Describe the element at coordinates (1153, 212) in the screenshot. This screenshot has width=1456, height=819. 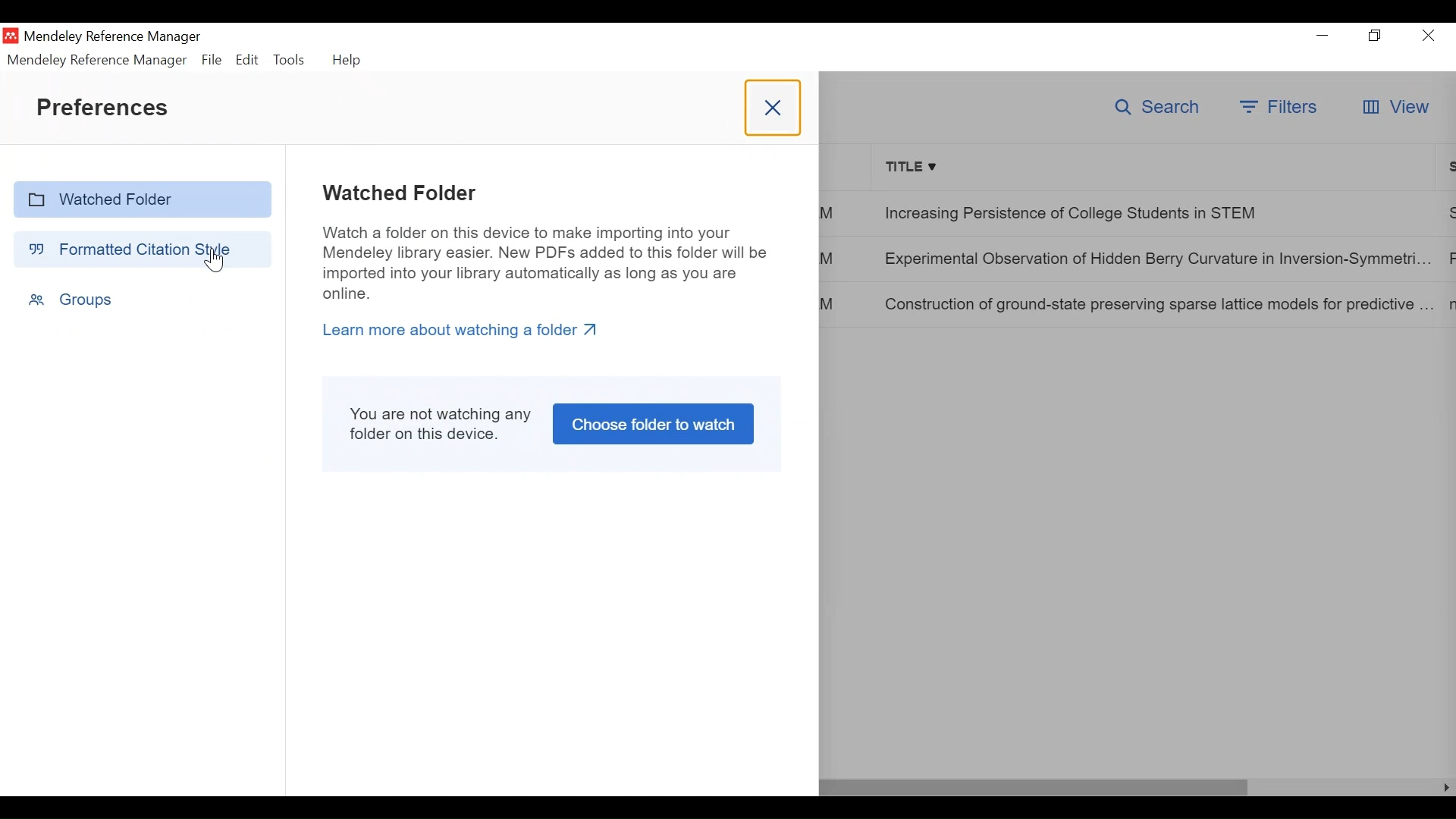
I see `Increasing Persistence of College Students in STEM` at that location.